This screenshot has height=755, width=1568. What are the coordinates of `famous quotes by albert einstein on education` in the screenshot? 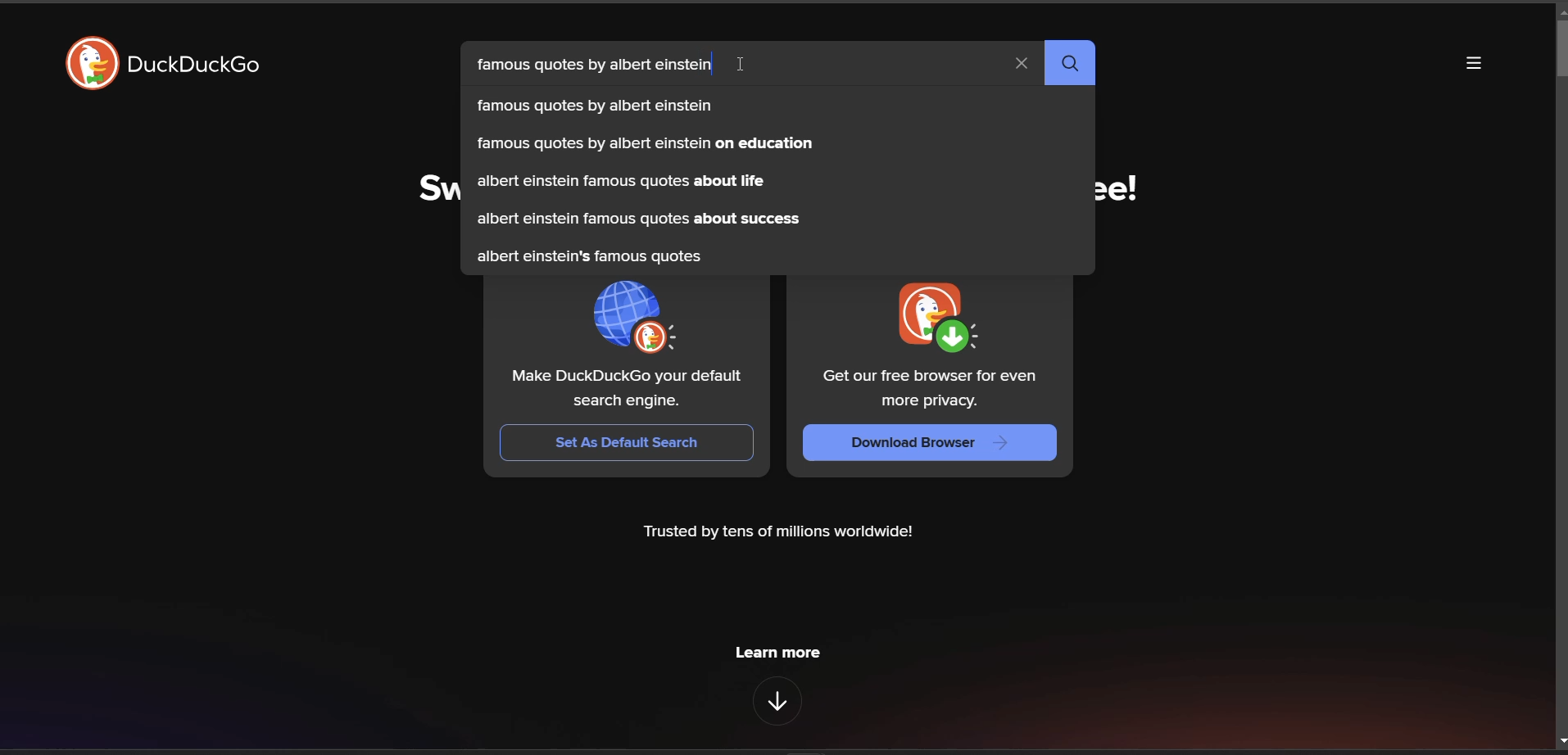 It's located at (641, 143).